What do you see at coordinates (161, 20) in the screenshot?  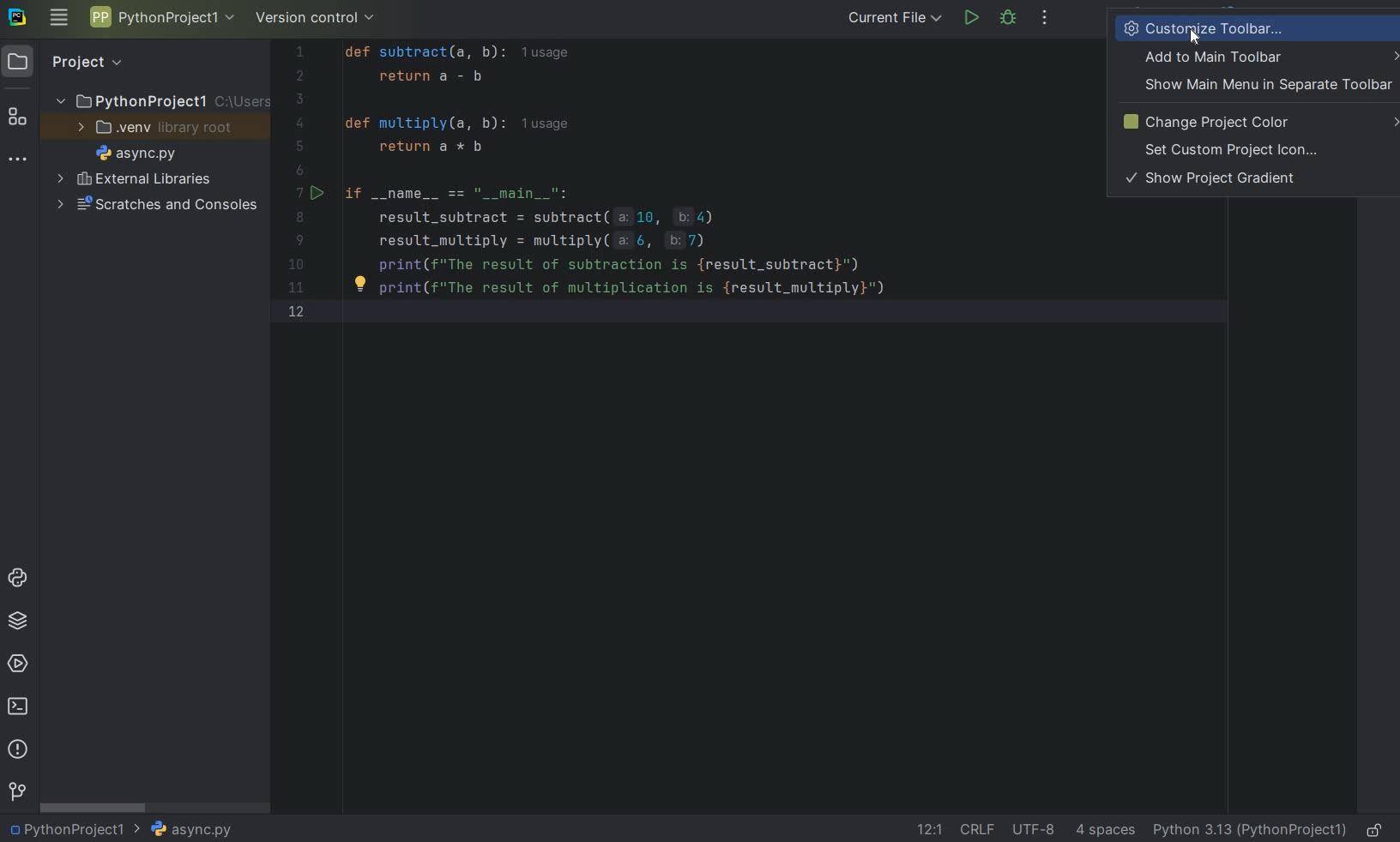 I see `PROJECT NAME` at bounding box center [161, 20].